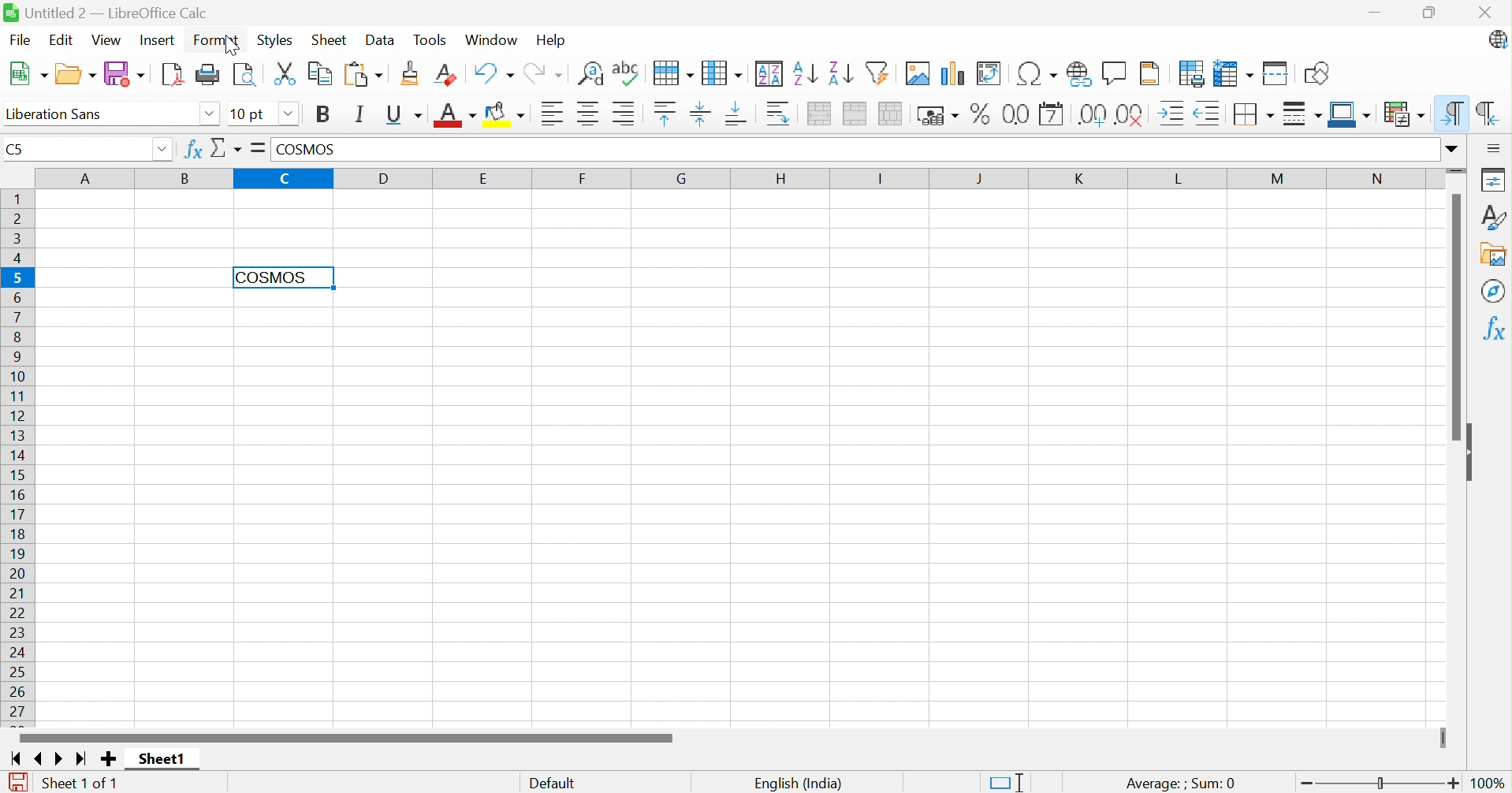 This screenshot has height=793, width=1512. Describe the element at coordinates (1254, 116) in the screenshot. I see `Borders` at that location.